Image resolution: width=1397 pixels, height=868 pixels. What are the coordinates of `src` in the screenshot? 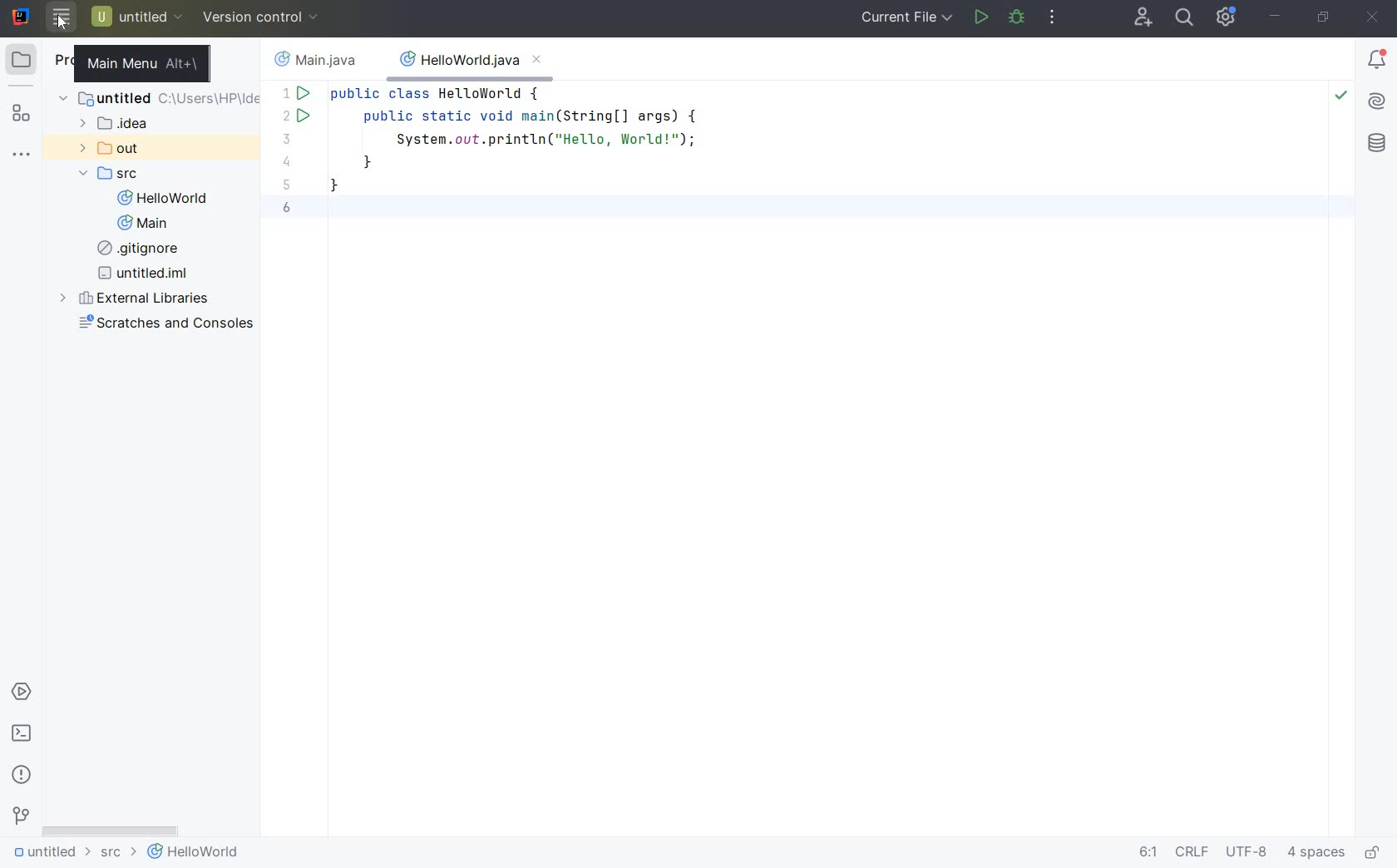 It's located at (116, 856).